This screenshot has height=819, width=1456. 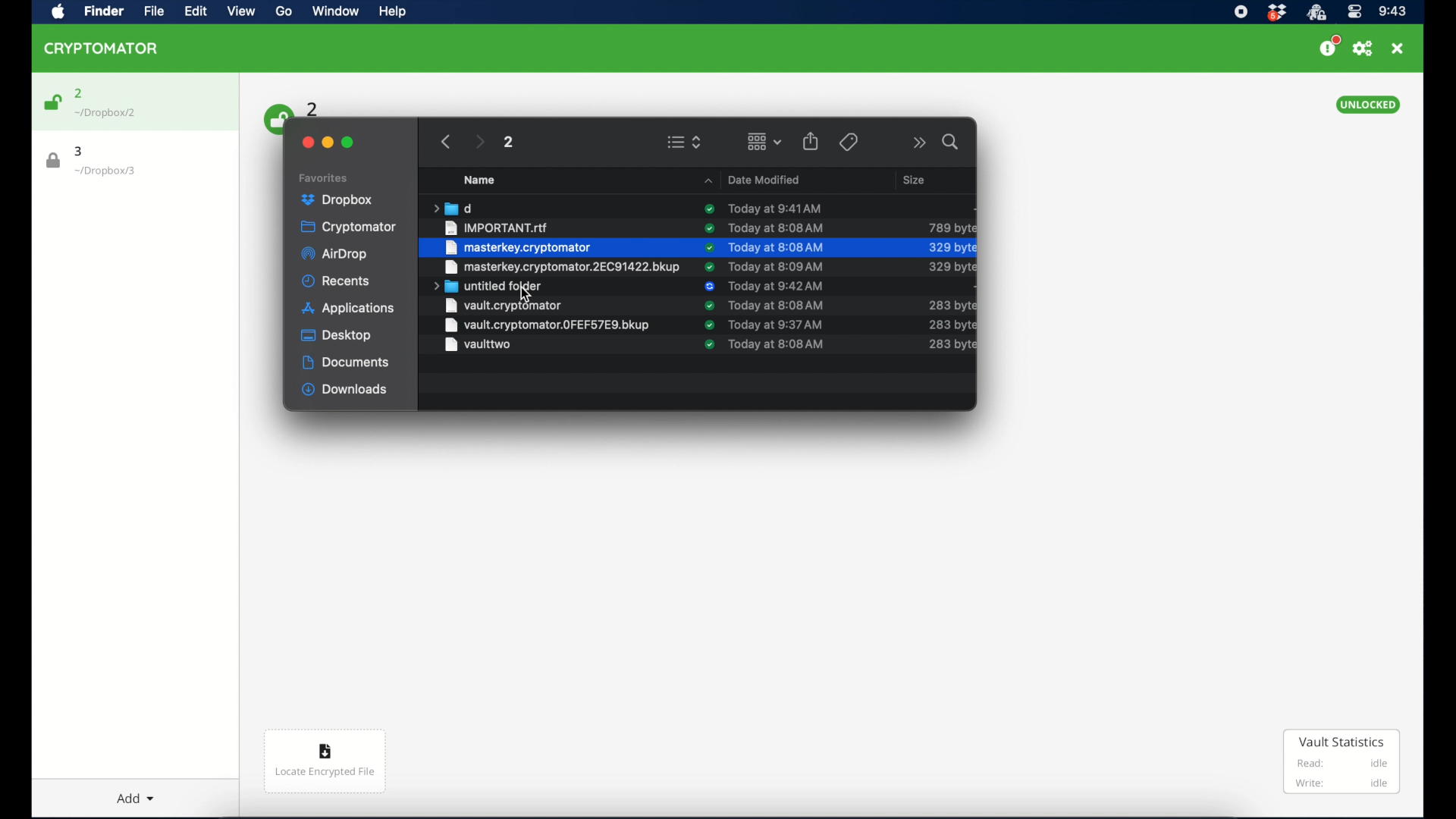 I want to click on unlock  icon, so click(x=52, y=102).